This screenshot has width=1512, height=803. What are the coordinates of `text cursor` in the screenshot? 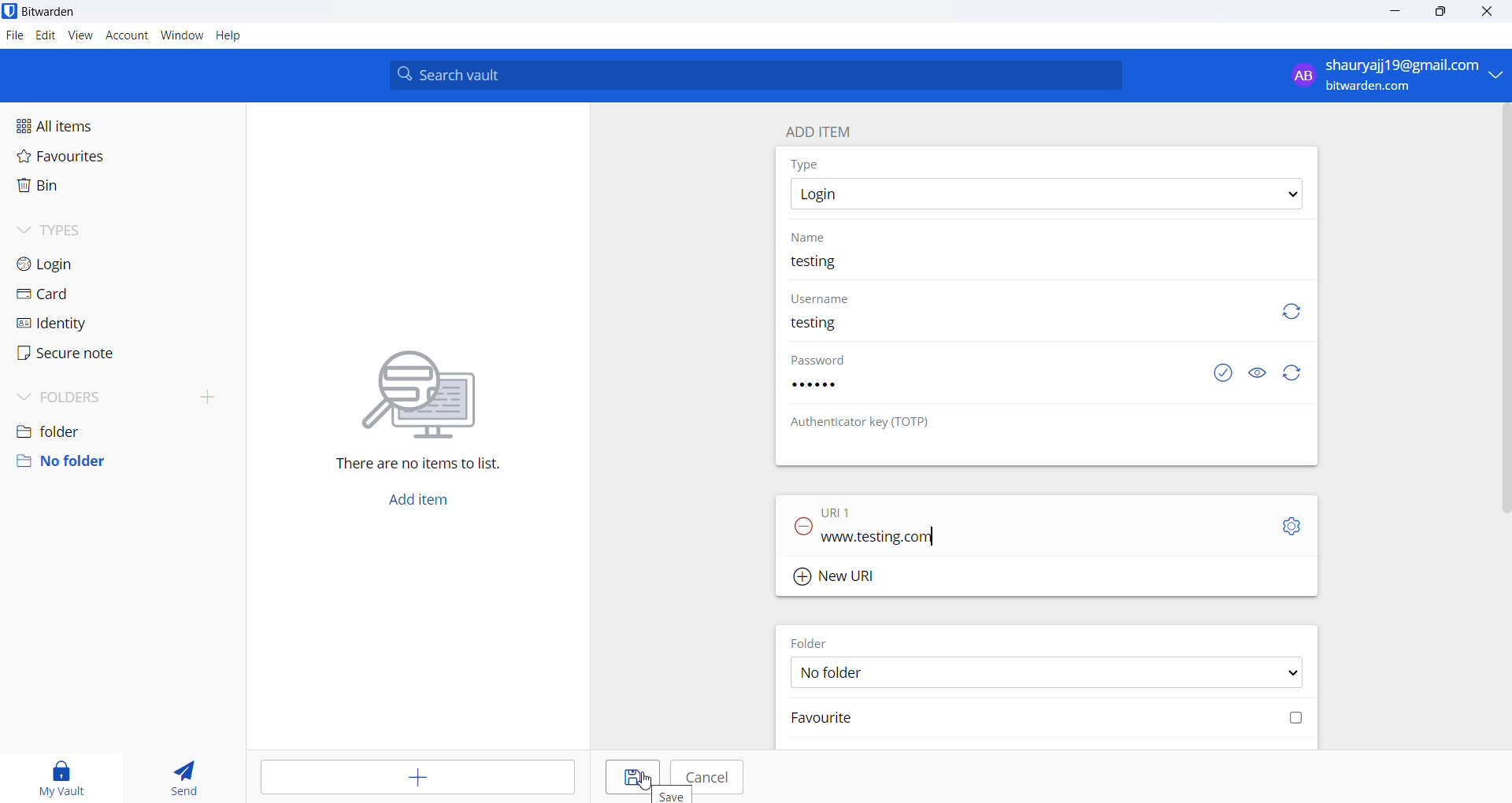 It's located at (934, 538).